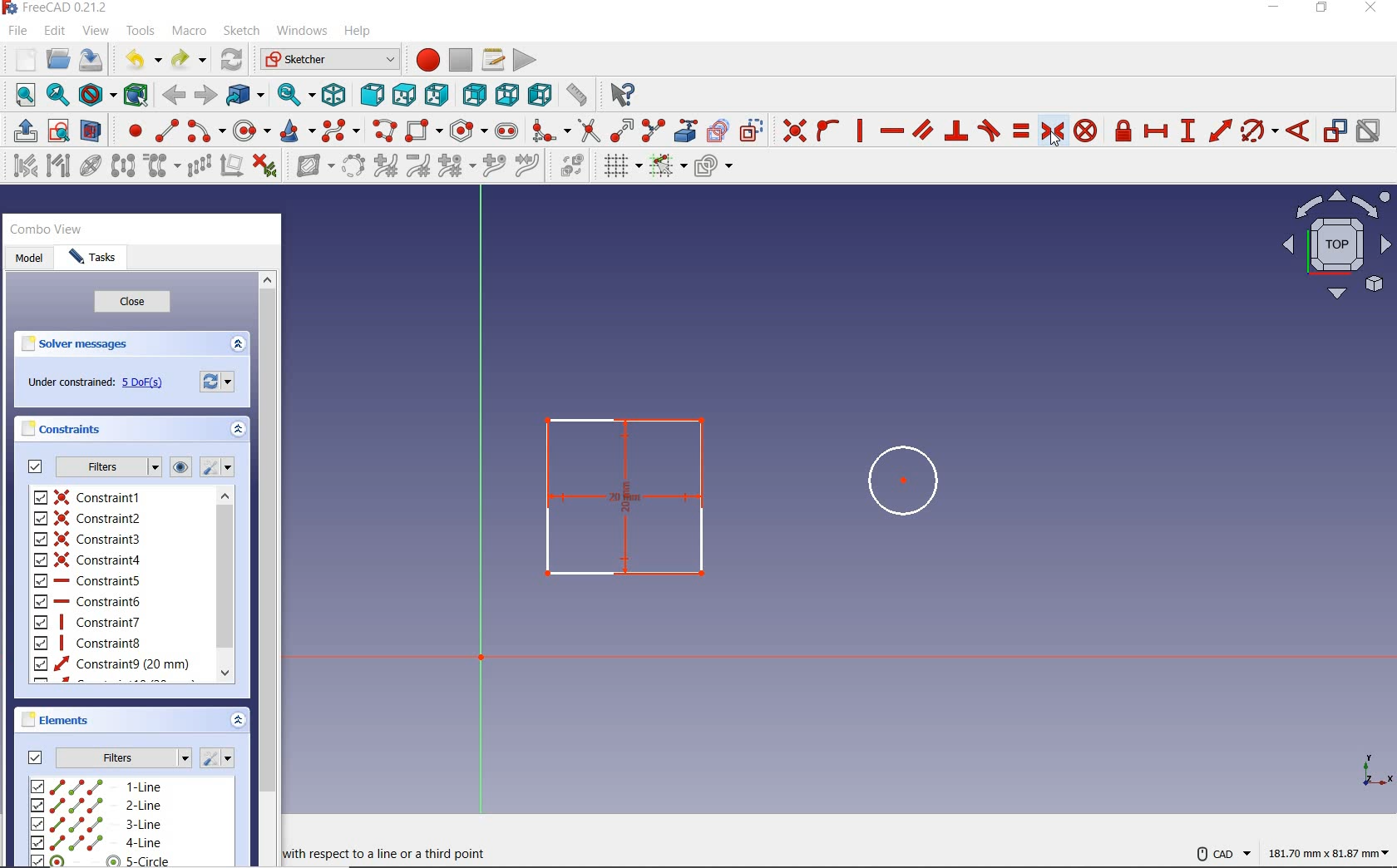 This screenshot has height=868, width=1397. I want to click on model, so click(31, 262).